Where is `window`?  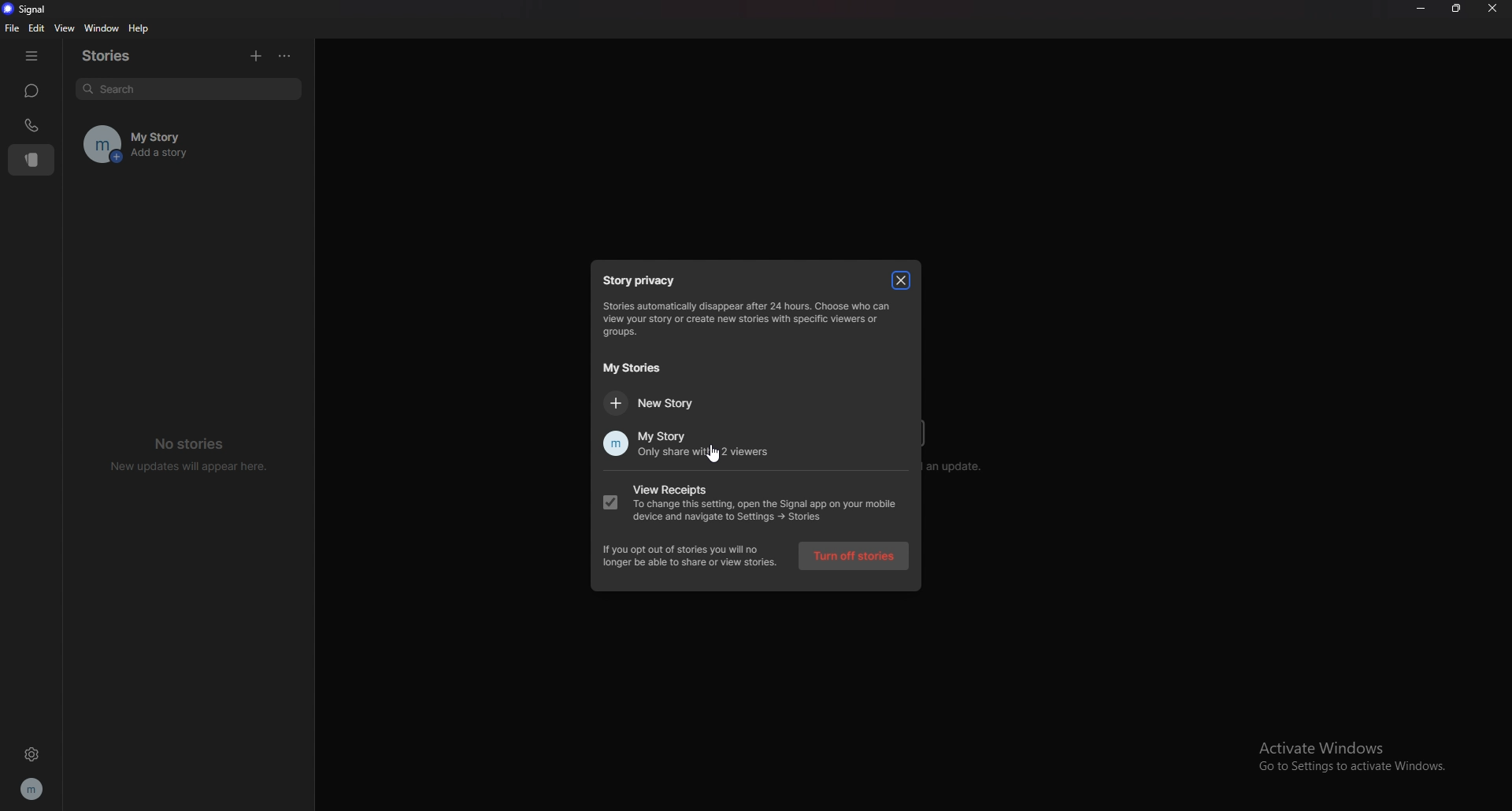
window is located at coordinates (100, 28).